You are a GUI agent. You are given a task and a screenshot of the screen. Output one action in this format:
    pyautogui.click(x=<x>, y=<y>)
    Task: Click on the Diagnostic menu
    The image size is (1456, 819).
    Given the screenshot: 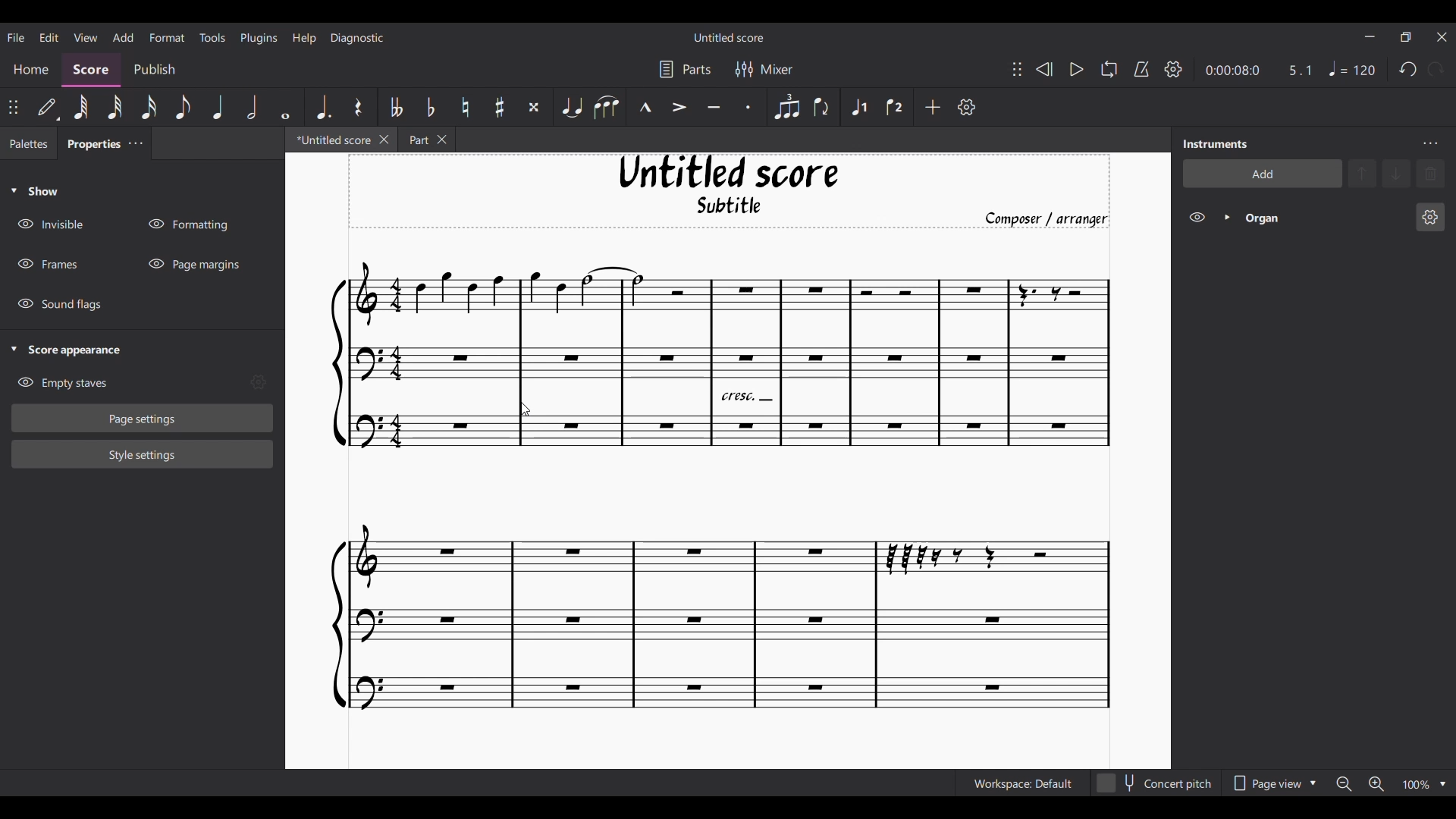 What is the action you would take?
    pyautogui.click(x=358, y=37)
    